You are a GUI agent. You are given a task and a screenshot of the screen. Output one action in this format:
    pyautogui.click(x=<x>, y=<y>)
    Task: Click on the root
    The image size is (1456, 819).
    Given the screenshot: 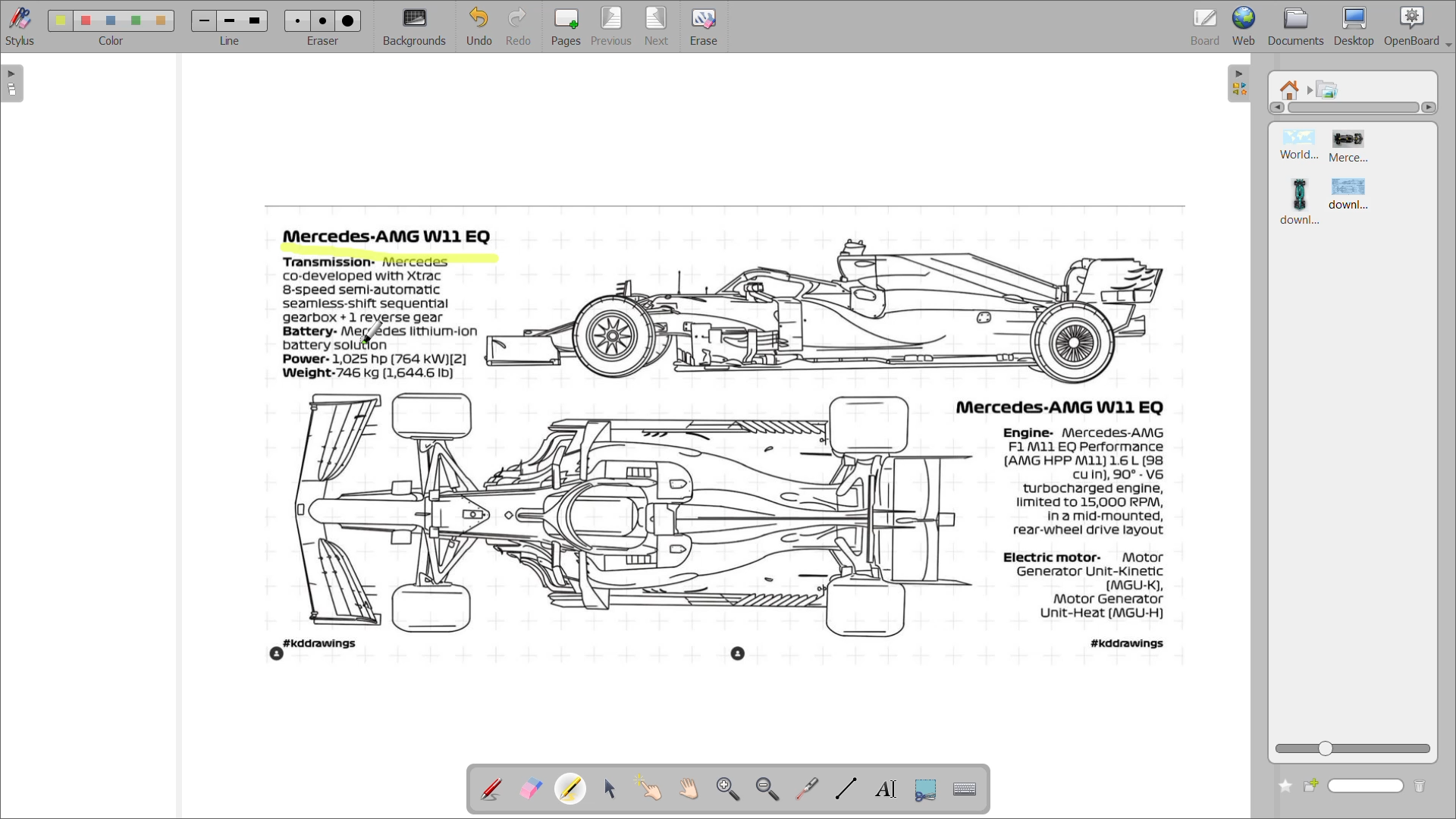 What is the action you would take?
    pyautogui.click(x=1290, y=91)
    